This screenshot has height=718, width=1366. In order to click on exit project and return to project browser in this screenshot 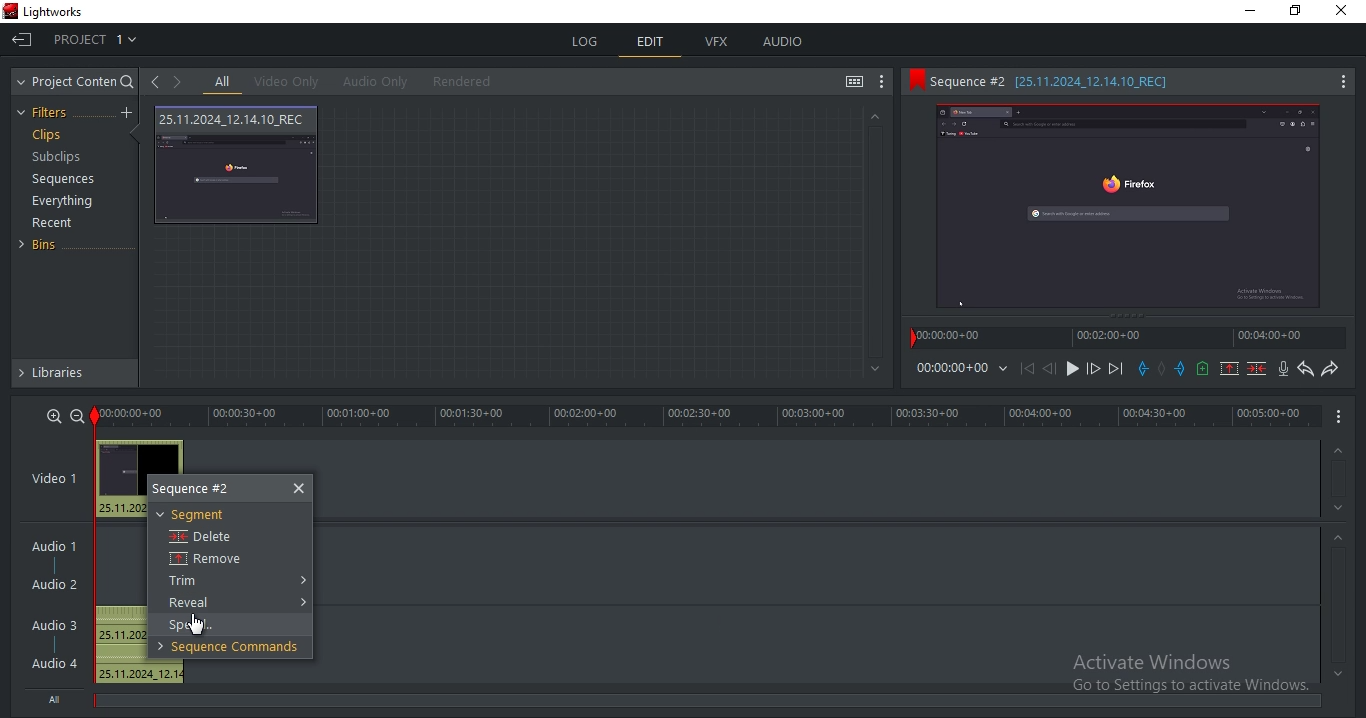, I will do `click(22, 42)`.